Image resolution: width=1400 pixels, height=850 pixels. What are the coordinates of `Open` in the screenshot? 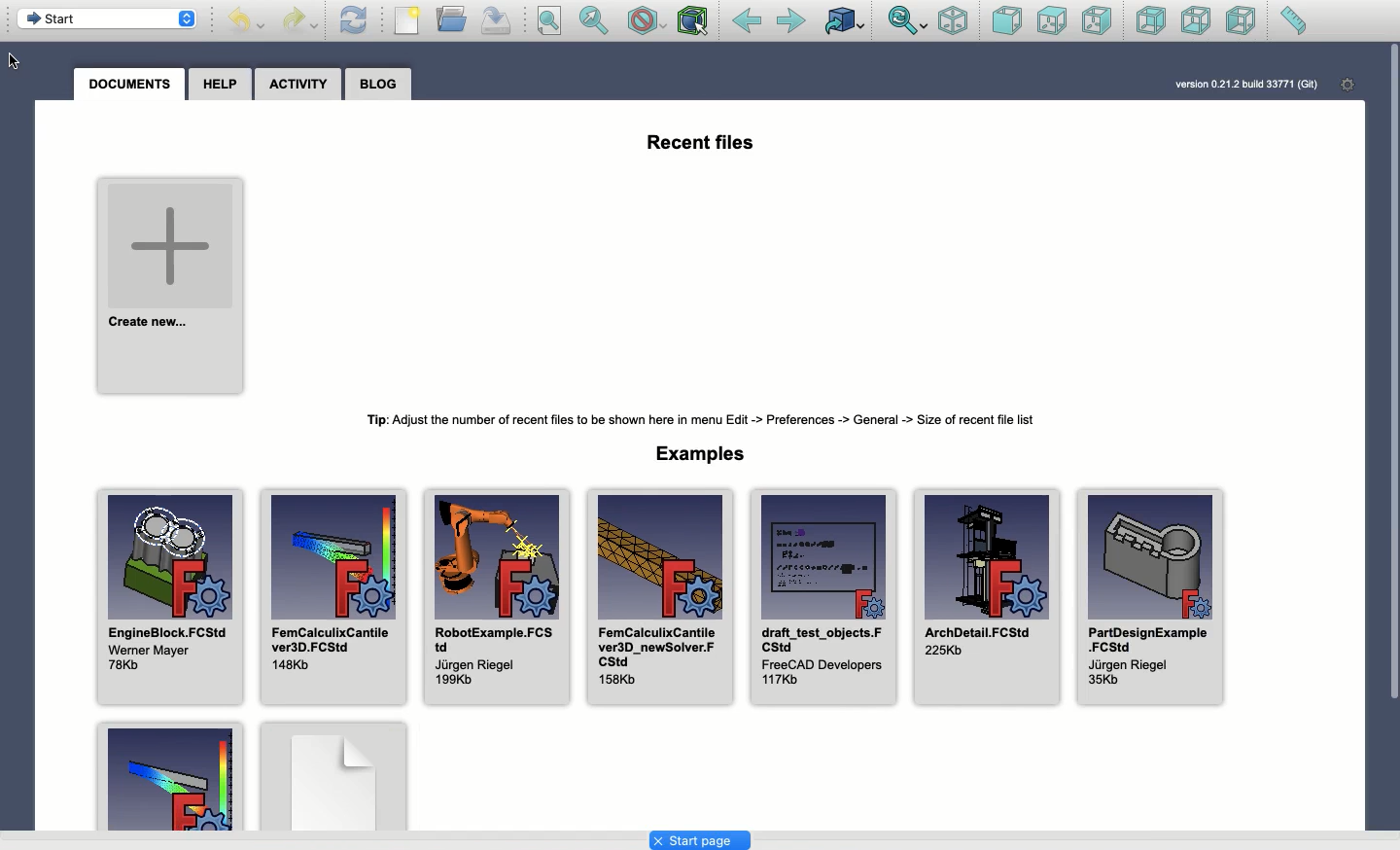 It's located at (451, 18).